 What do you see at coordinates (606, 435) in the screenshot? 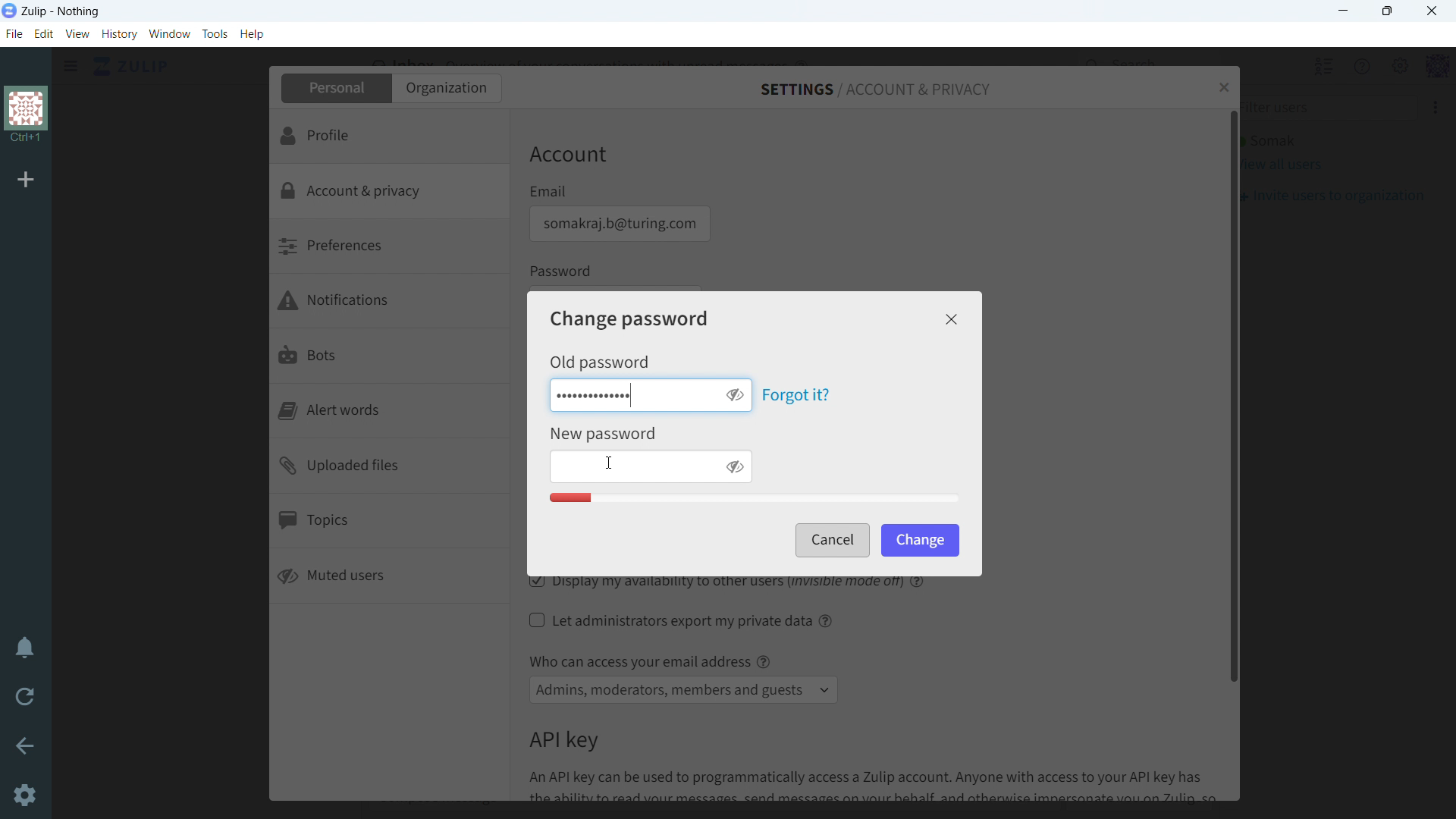
I see `New Password` at bounding box center [606, 435].